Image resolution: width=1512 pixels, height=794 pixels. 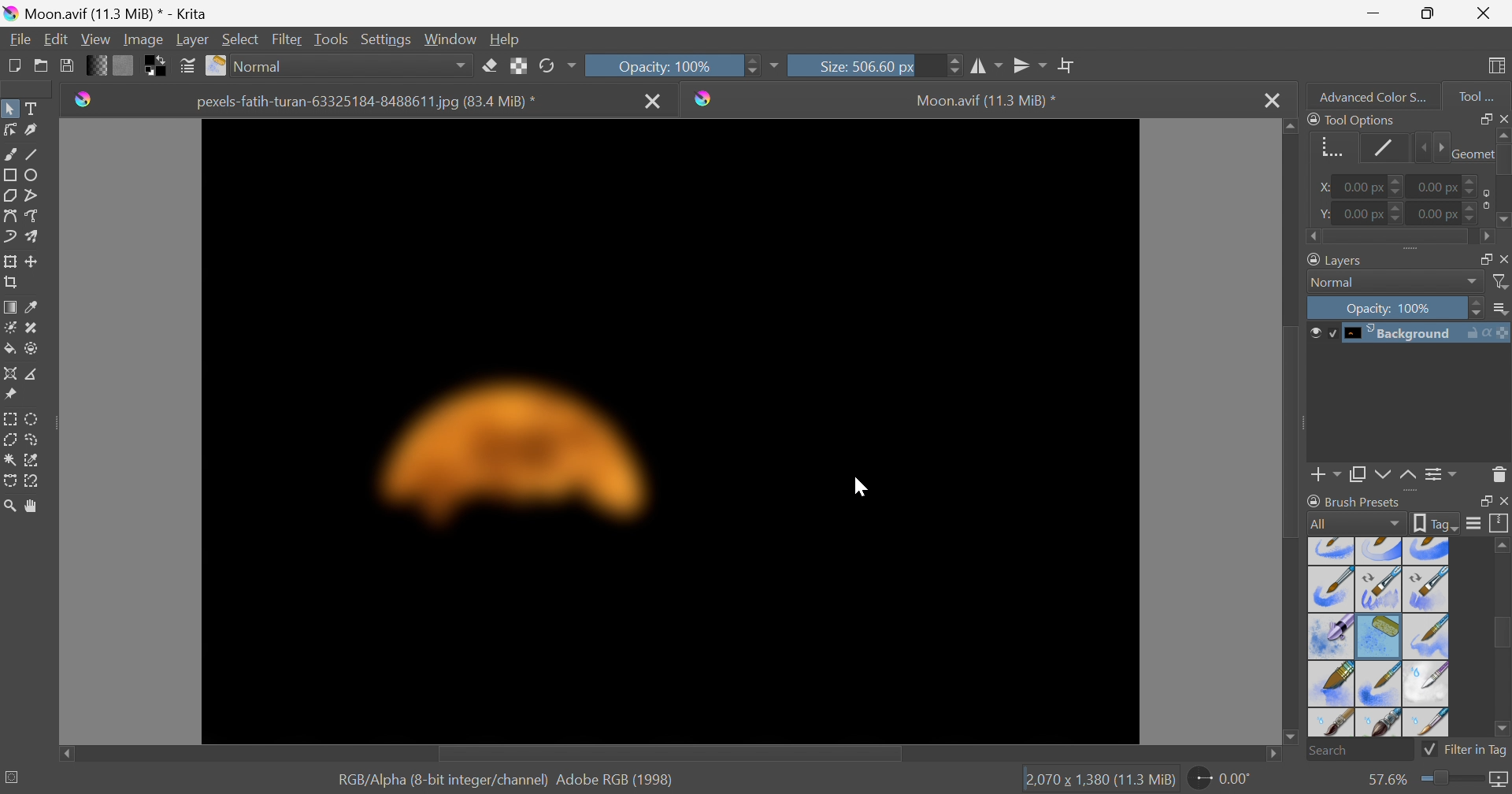 I want to click on Rectangular selection tool, so click(x=12, y=419).